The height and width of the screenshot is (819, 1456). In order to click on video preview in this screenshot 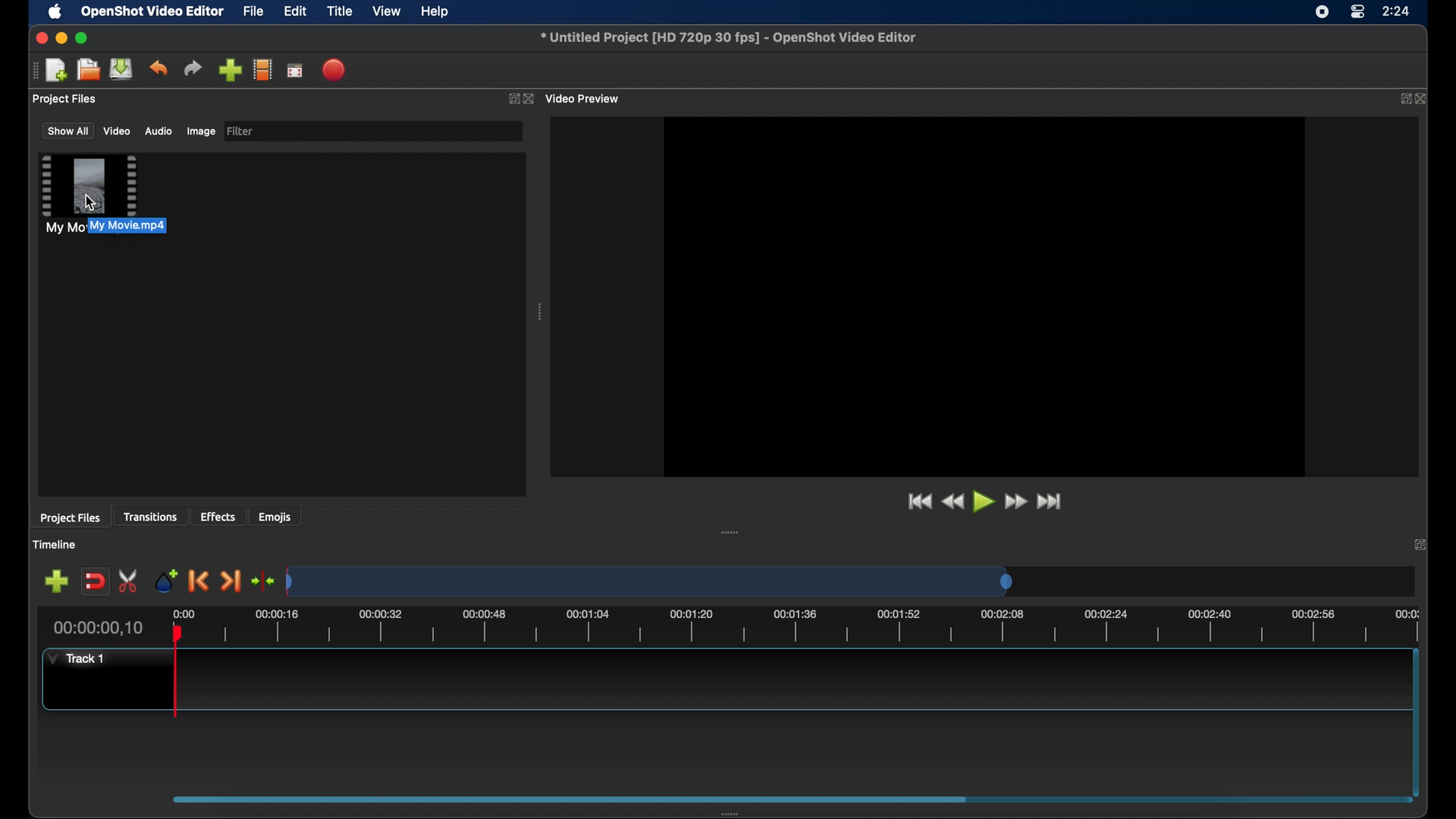, I will do `click(983, 294)`.